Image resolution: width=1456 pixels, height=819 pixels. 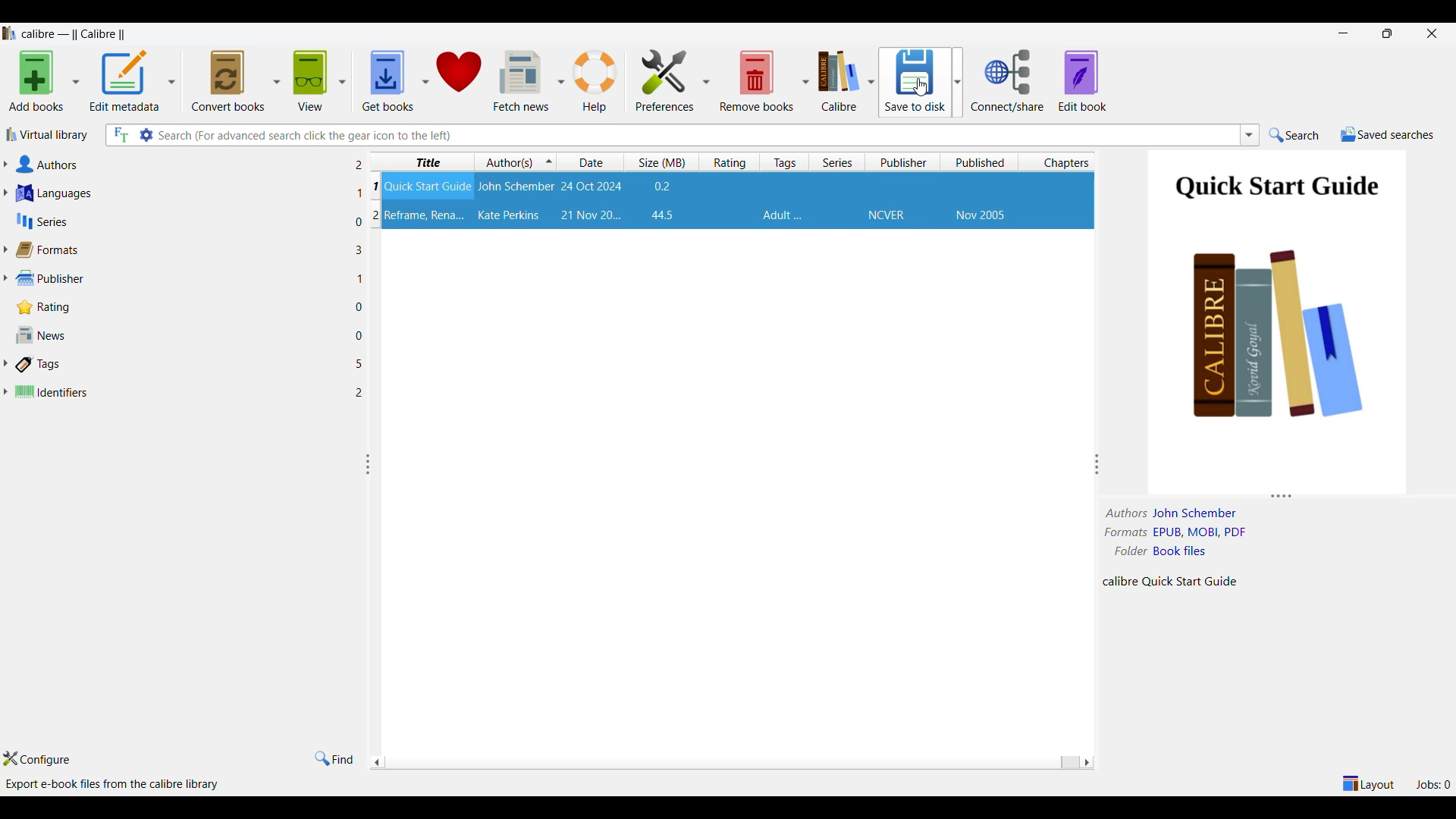 What do you see at coordinates (838, 162) in the screenshot?
I see `Series column` at bounding box center [838, 162].